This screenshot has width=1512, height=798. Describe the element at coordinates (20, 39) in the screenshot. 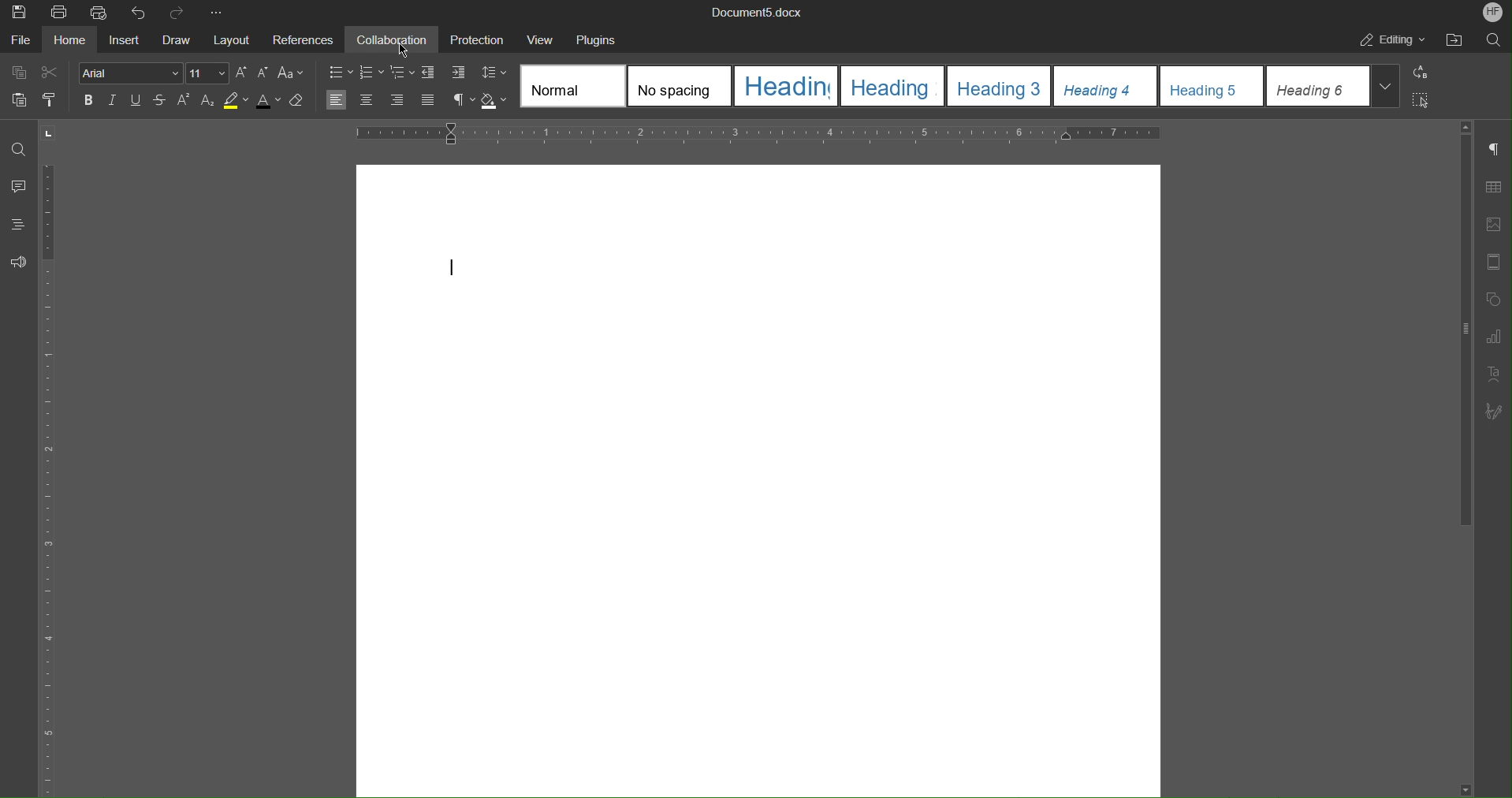

I see `File ` at that location.